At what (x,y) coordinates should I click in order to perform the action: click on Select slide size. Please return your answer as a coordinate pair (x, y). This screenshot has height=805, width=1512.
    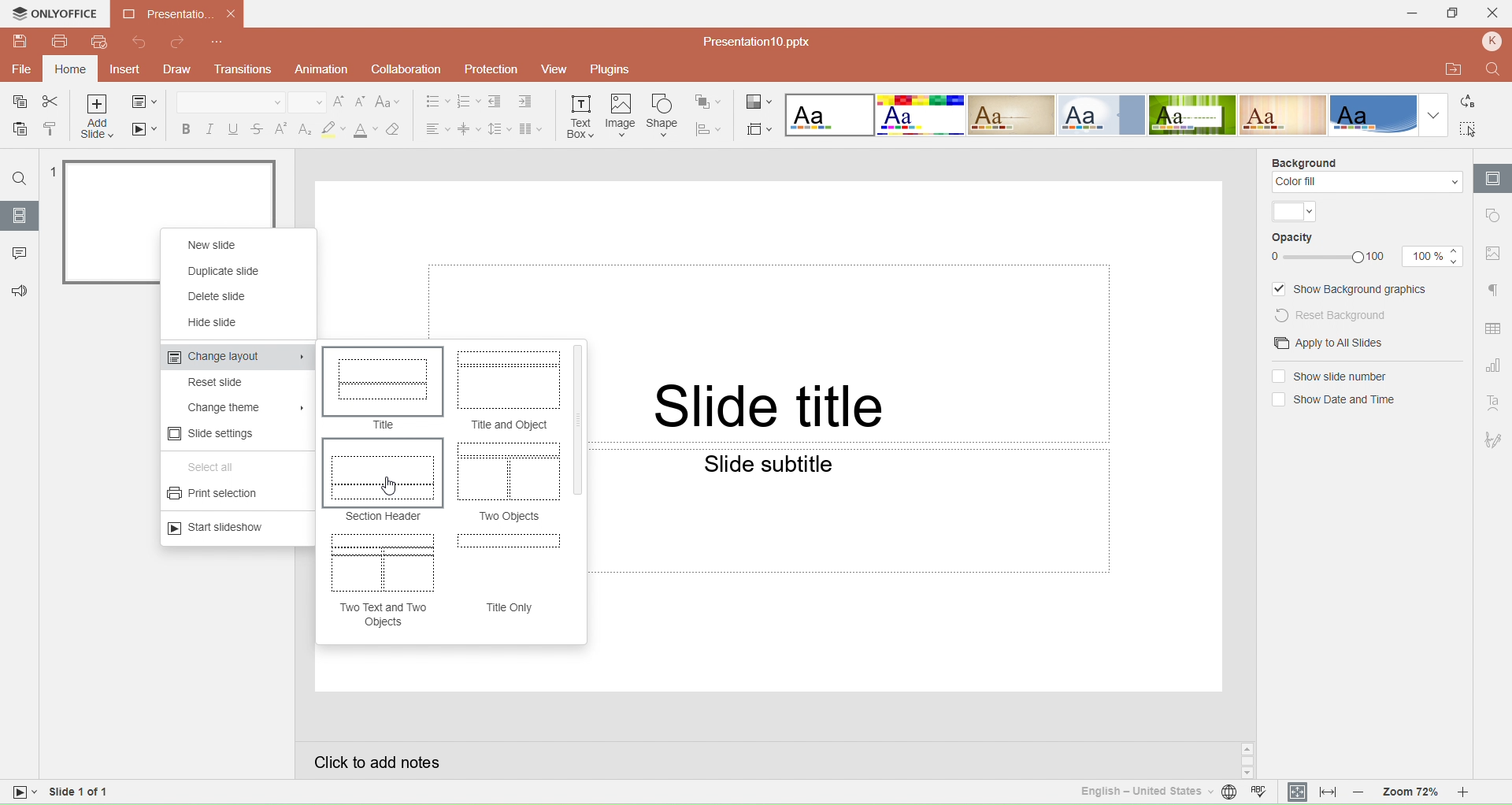
    Looking at the image, I should click on (759, 126).